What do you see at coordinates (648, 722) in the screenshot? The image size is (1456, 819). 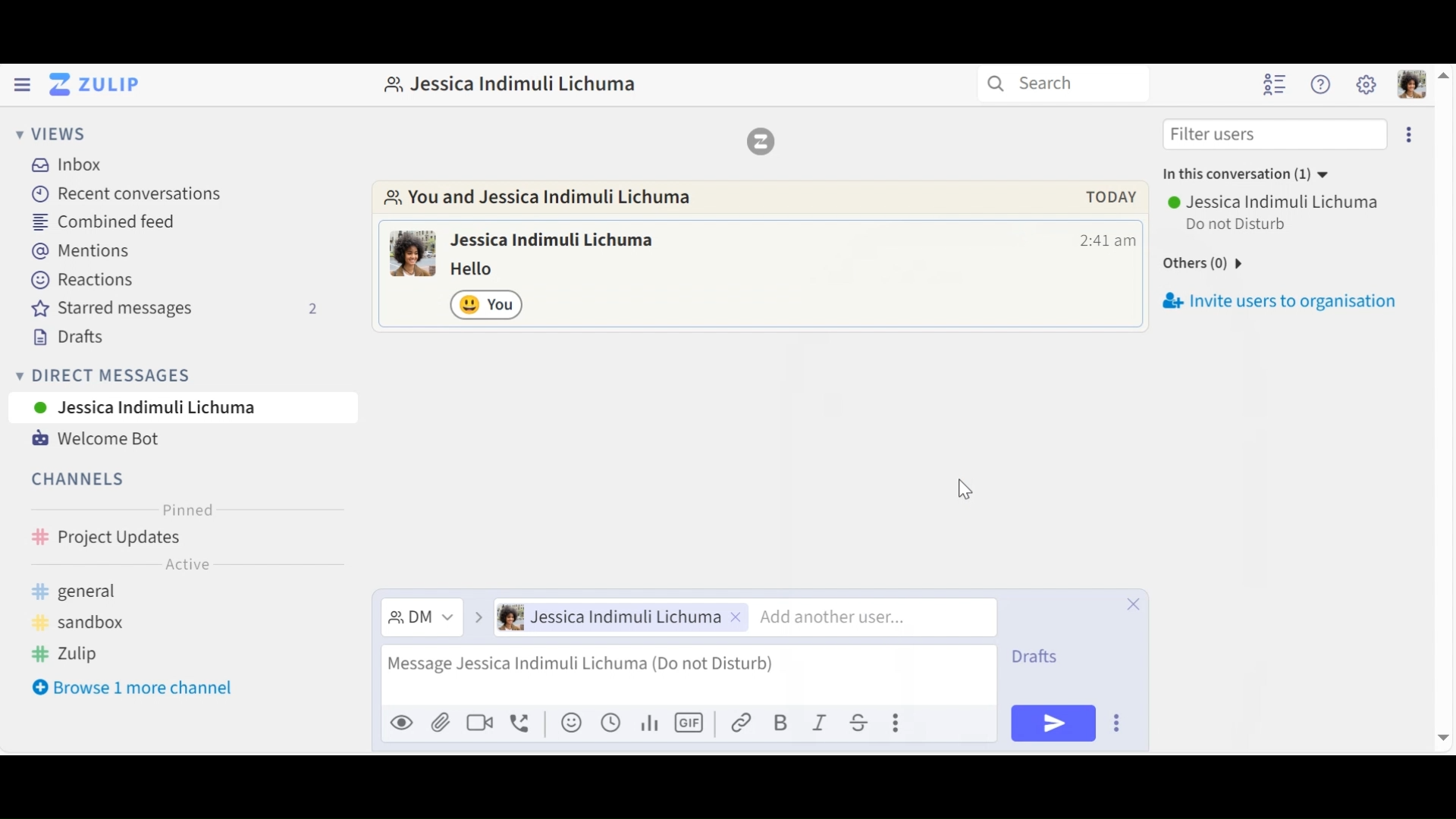 I see `Add Polls` at bounding box center [648, 722].